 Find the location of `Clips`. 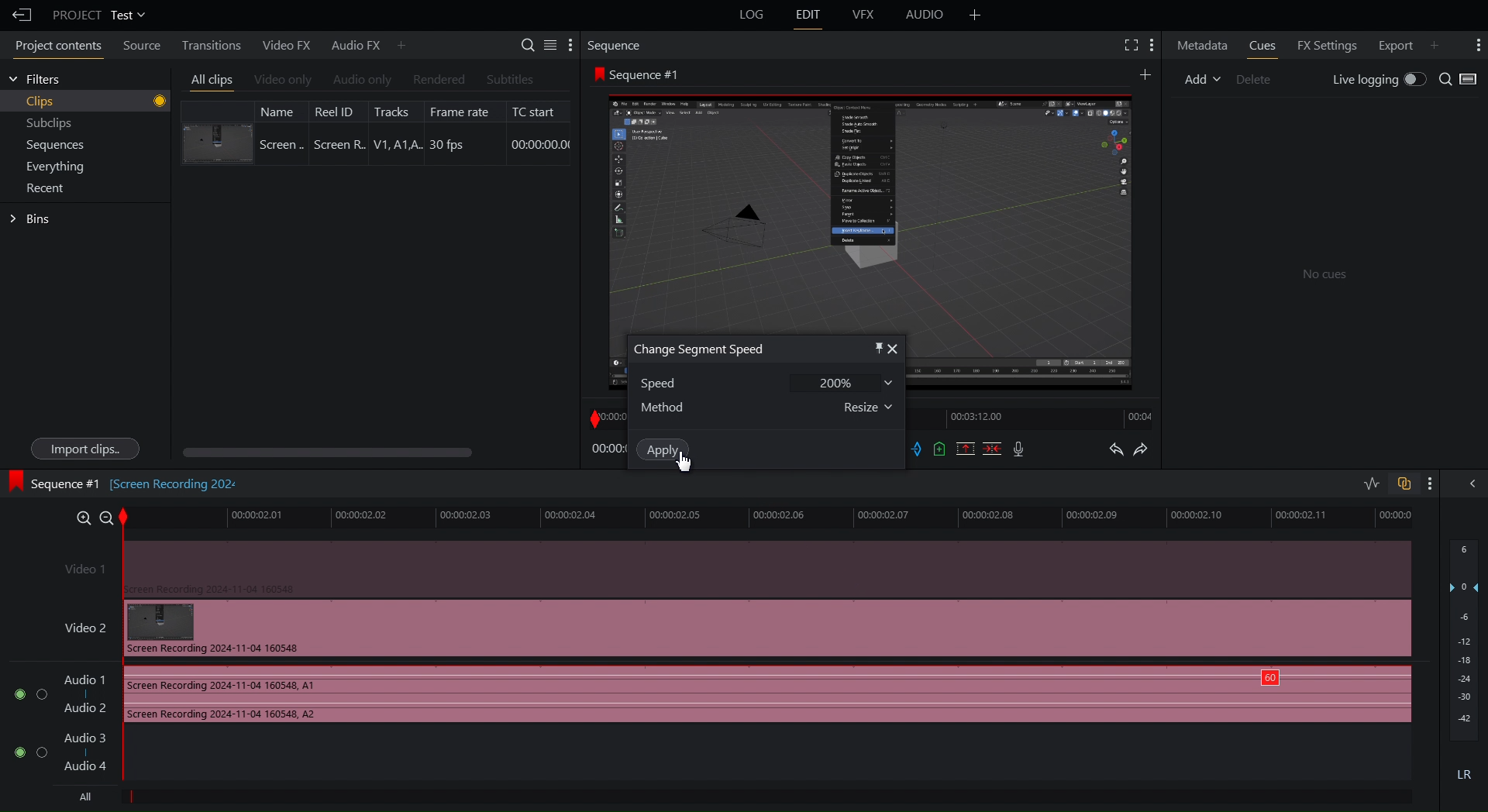

Clips is located at coordinates (96, 101).